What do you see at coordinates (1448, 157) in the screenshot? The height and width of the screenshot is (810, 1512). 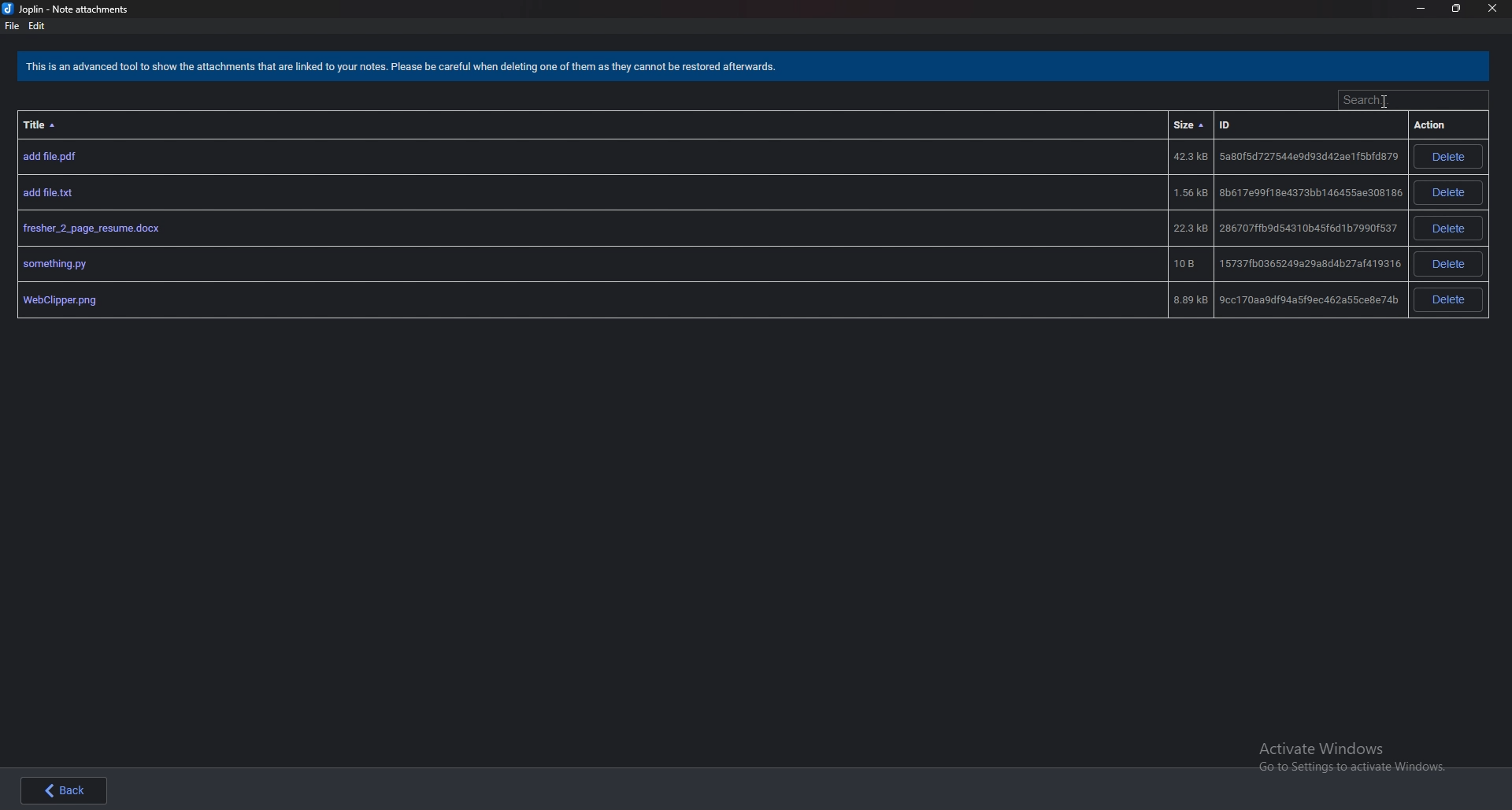 I see `delete` at bounding box center [1448, 157].